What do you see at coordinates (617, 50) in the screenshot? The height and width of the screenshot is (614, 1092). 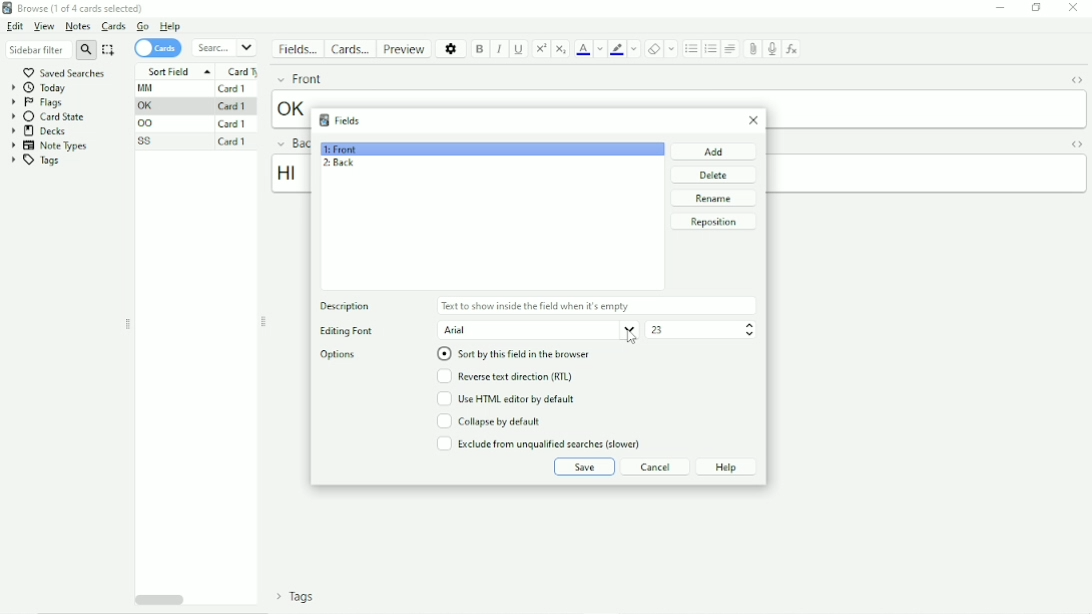 I see `Text highlight color` at bounding box center [617, 50].